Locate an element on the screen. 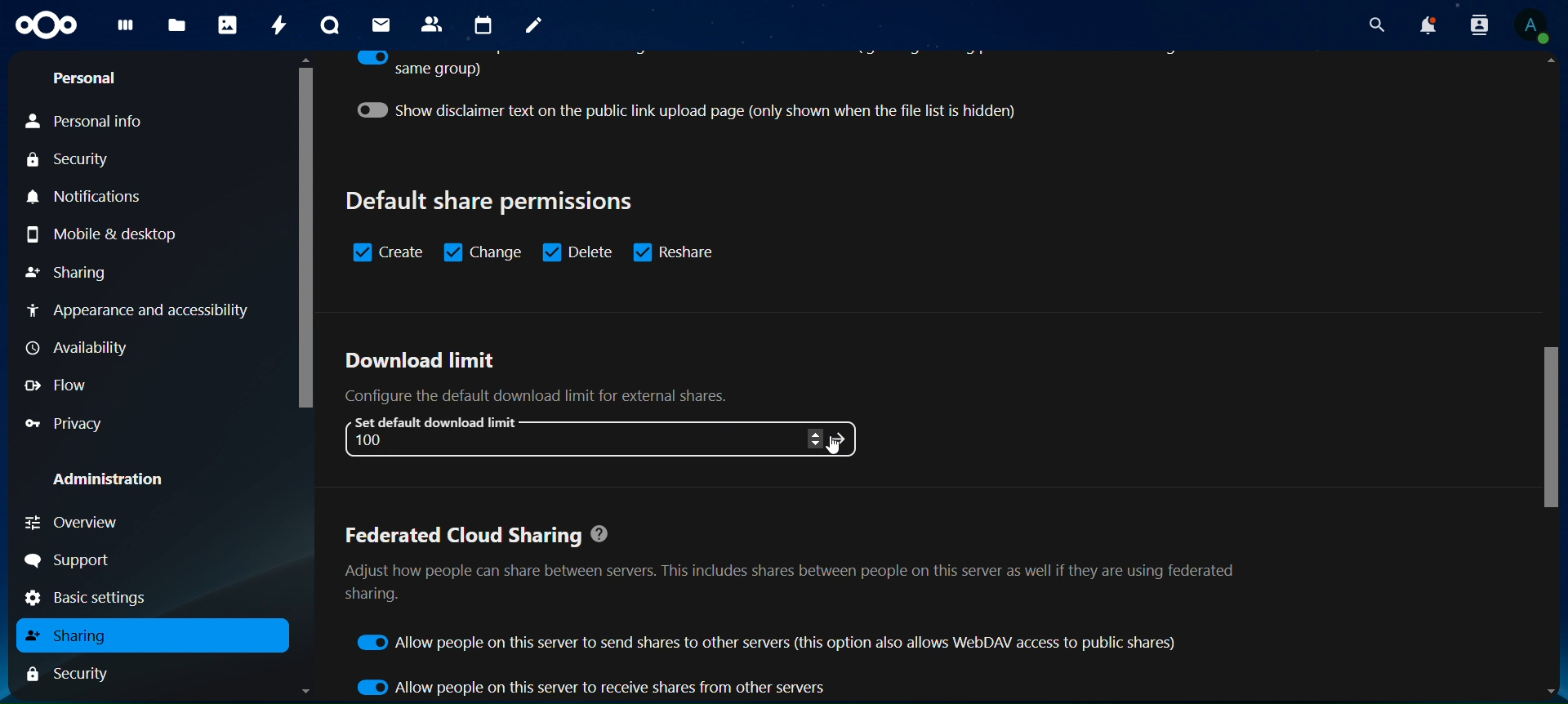 This screenshot has height=704, width=1568. 100 is located at coordinates (376, 440).